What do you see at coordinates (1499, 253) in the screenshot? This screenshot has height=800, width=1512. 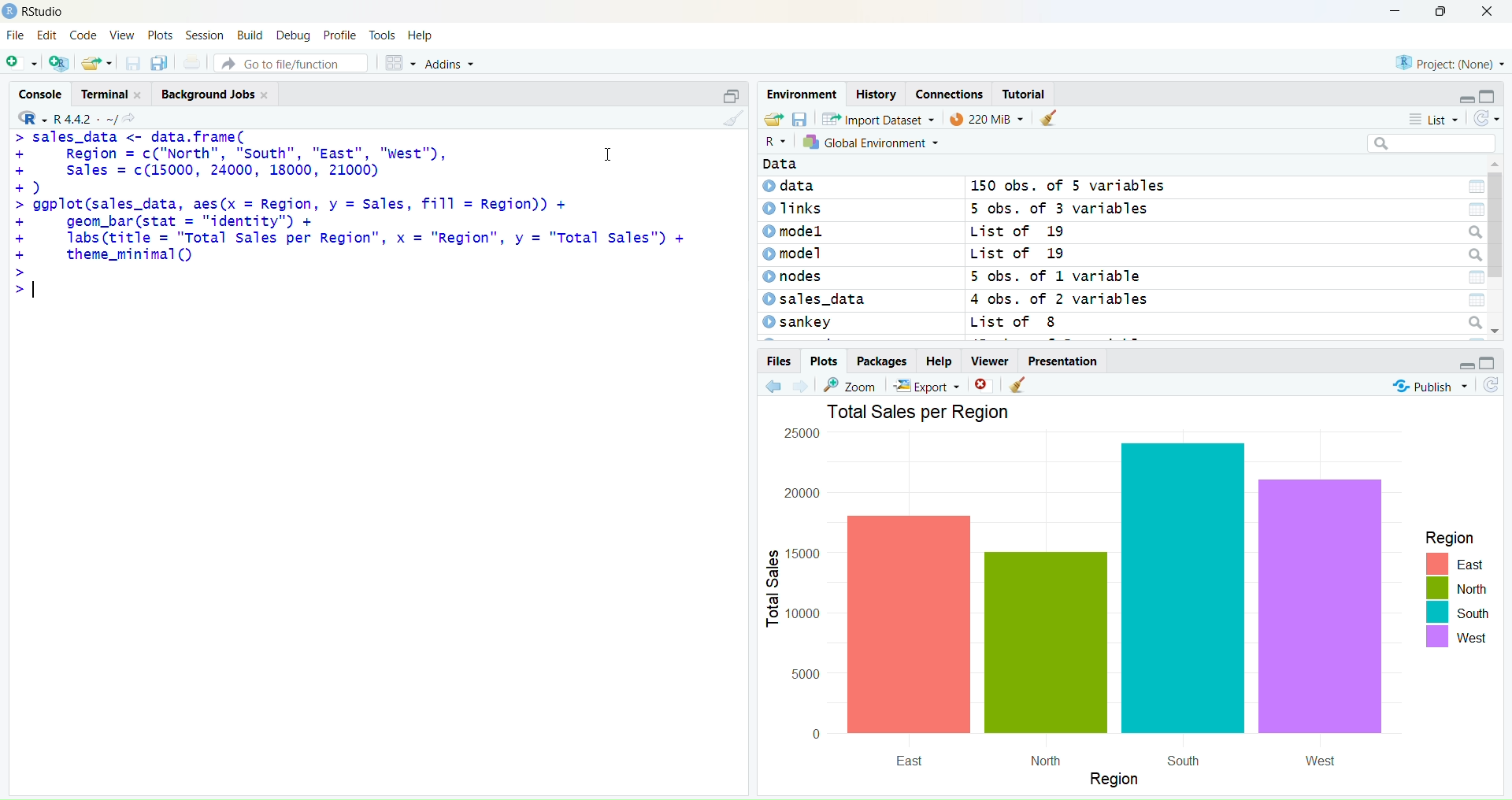 I see `scroll bar` at bounding box center [1499, 253].